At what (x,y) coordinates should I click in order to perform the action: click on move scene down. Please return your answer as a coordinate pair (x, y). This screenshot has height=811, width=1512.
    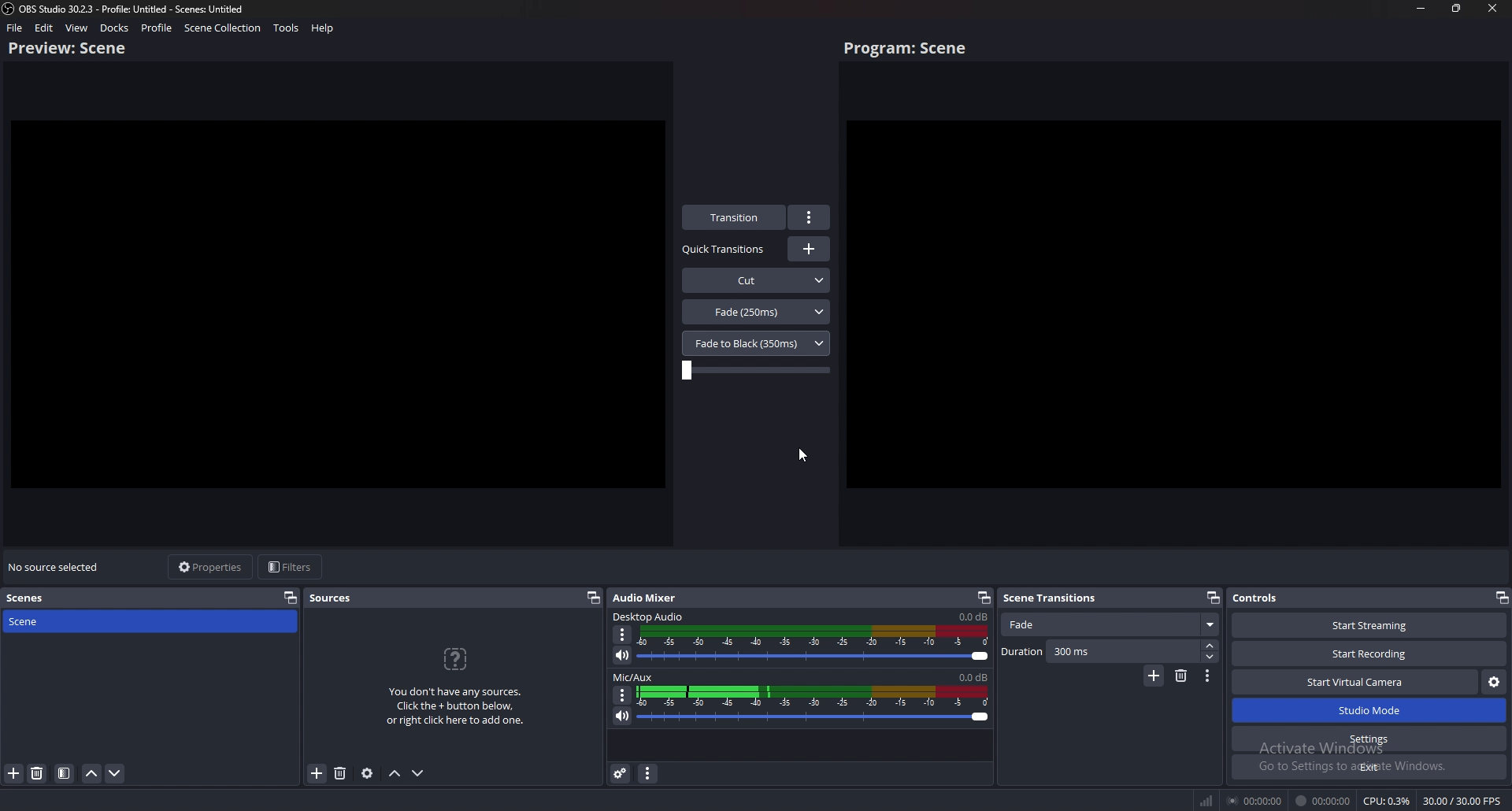
    Looking at the image, I should click on (116, 776).